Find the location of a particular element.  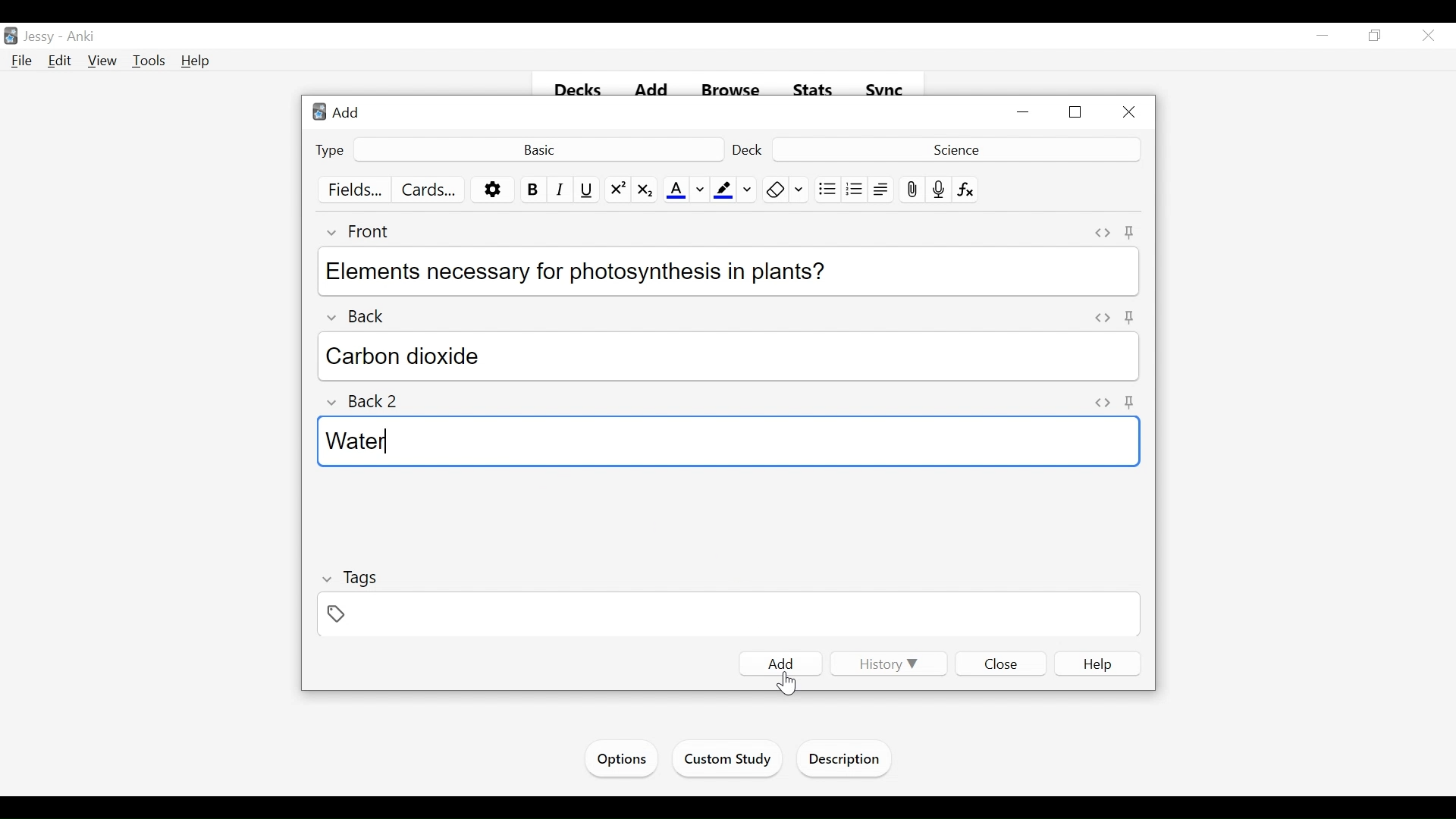

Water is located at coordinates (726, 441).